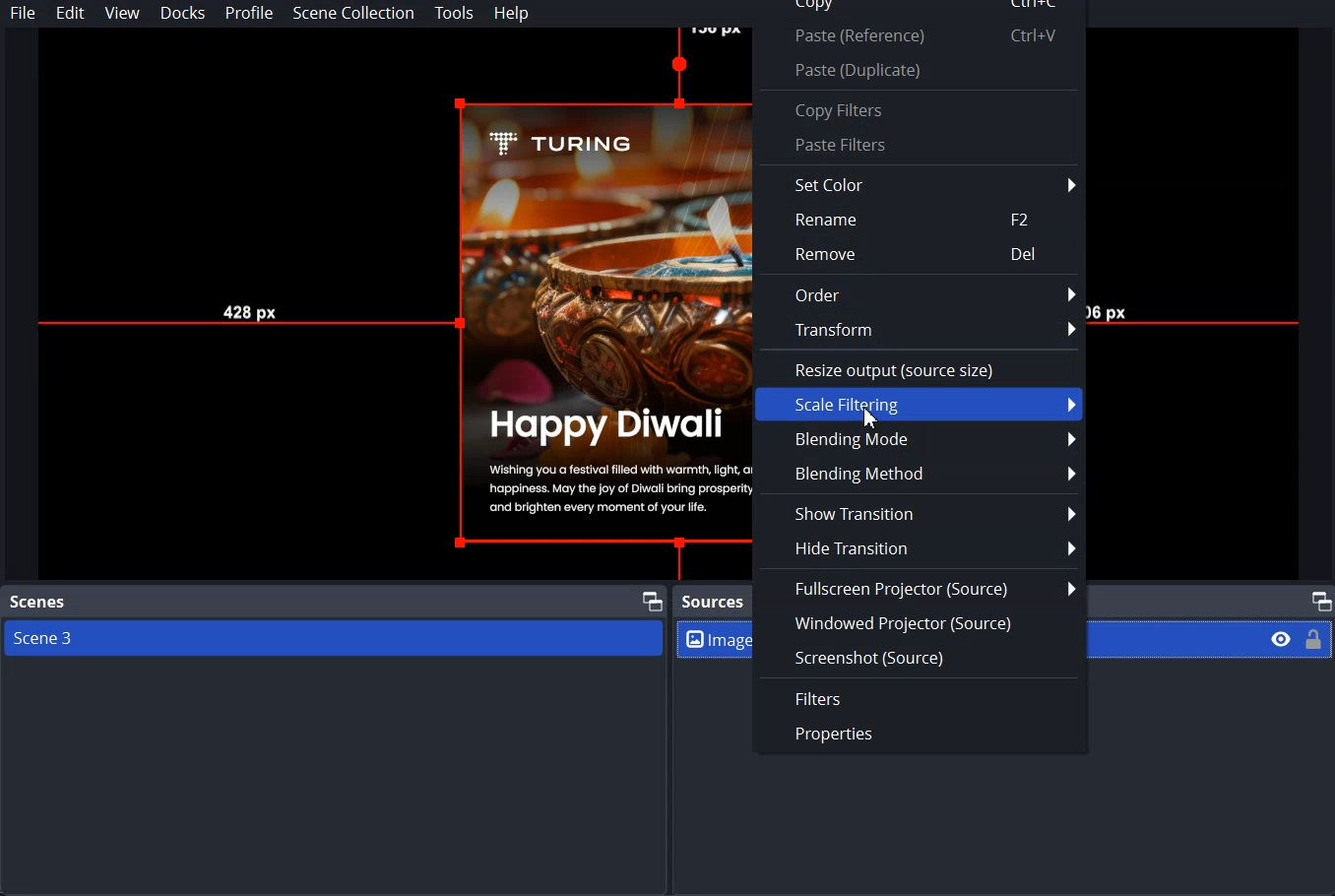  What do you see at coordinates (1320, 600) in the screenshot?
I see `Maximize` at bounding box center [1320, 600].